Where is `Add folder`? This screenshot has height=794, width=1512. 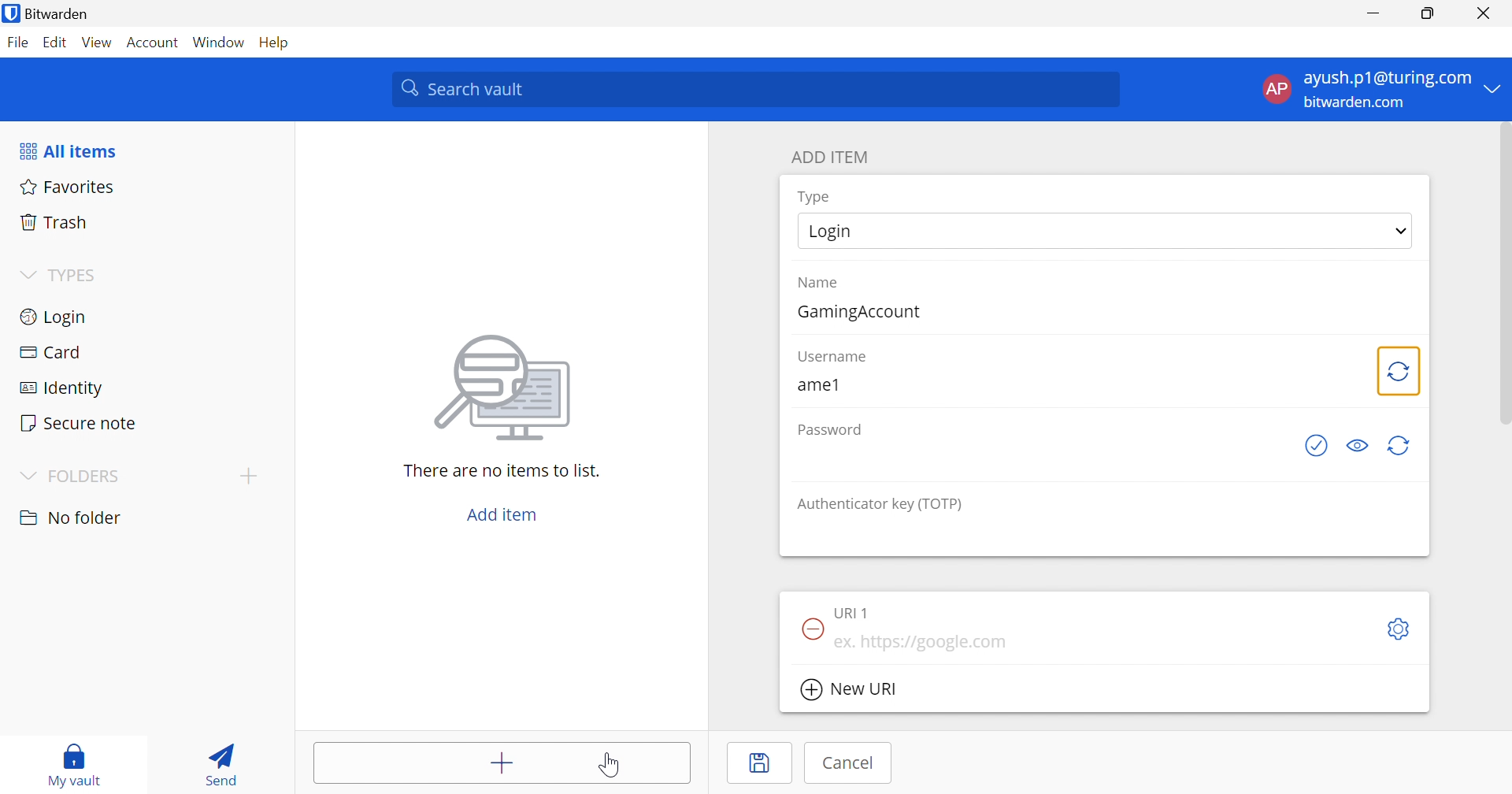
Add folder is located at coordinates (253, 475).